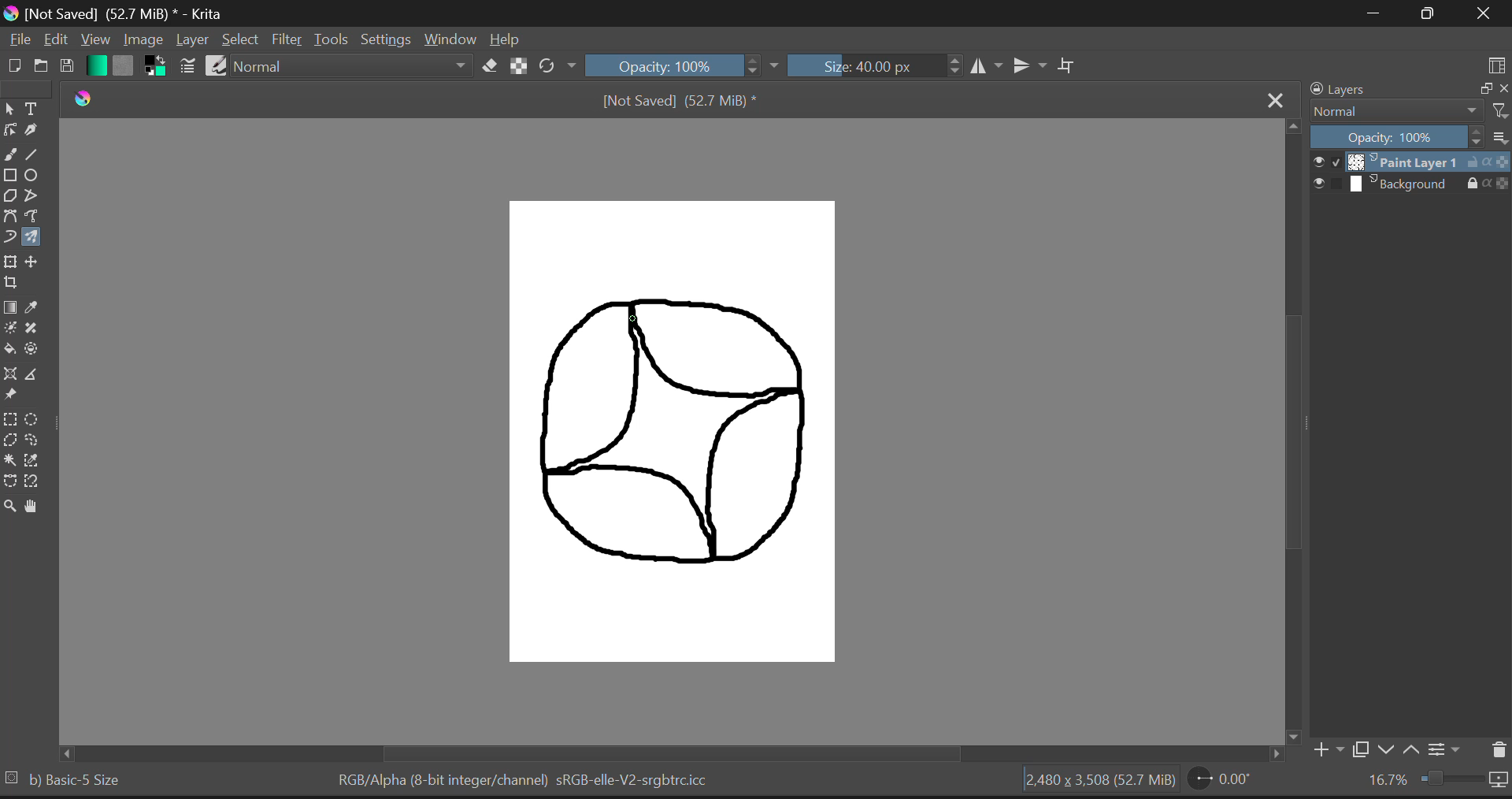 The height and width of the screenshot is (799, 1512). What do you see at coordinates (39, 304) in the screenshot?
I see `Eyedropper` at bounding box center [39, 304].